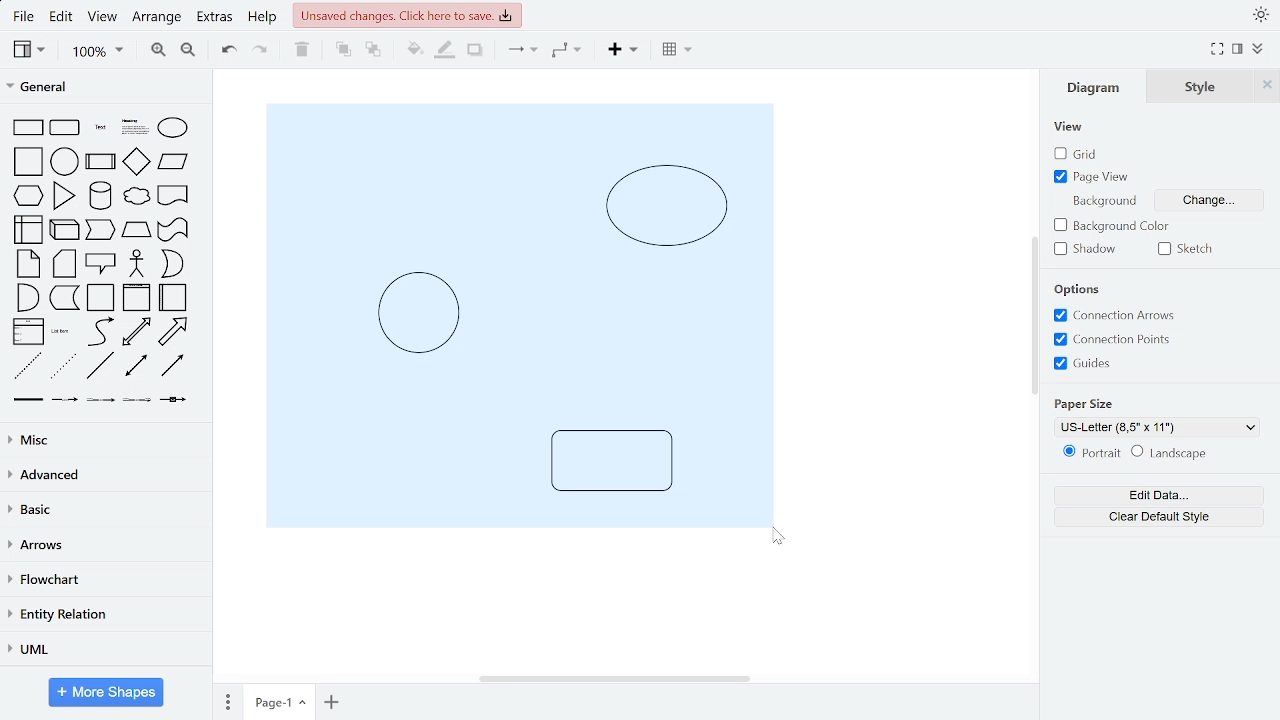  What do you see at coordinates (137, 264) in the screenshot?
I see `actor` at bounding box center [137, 264].